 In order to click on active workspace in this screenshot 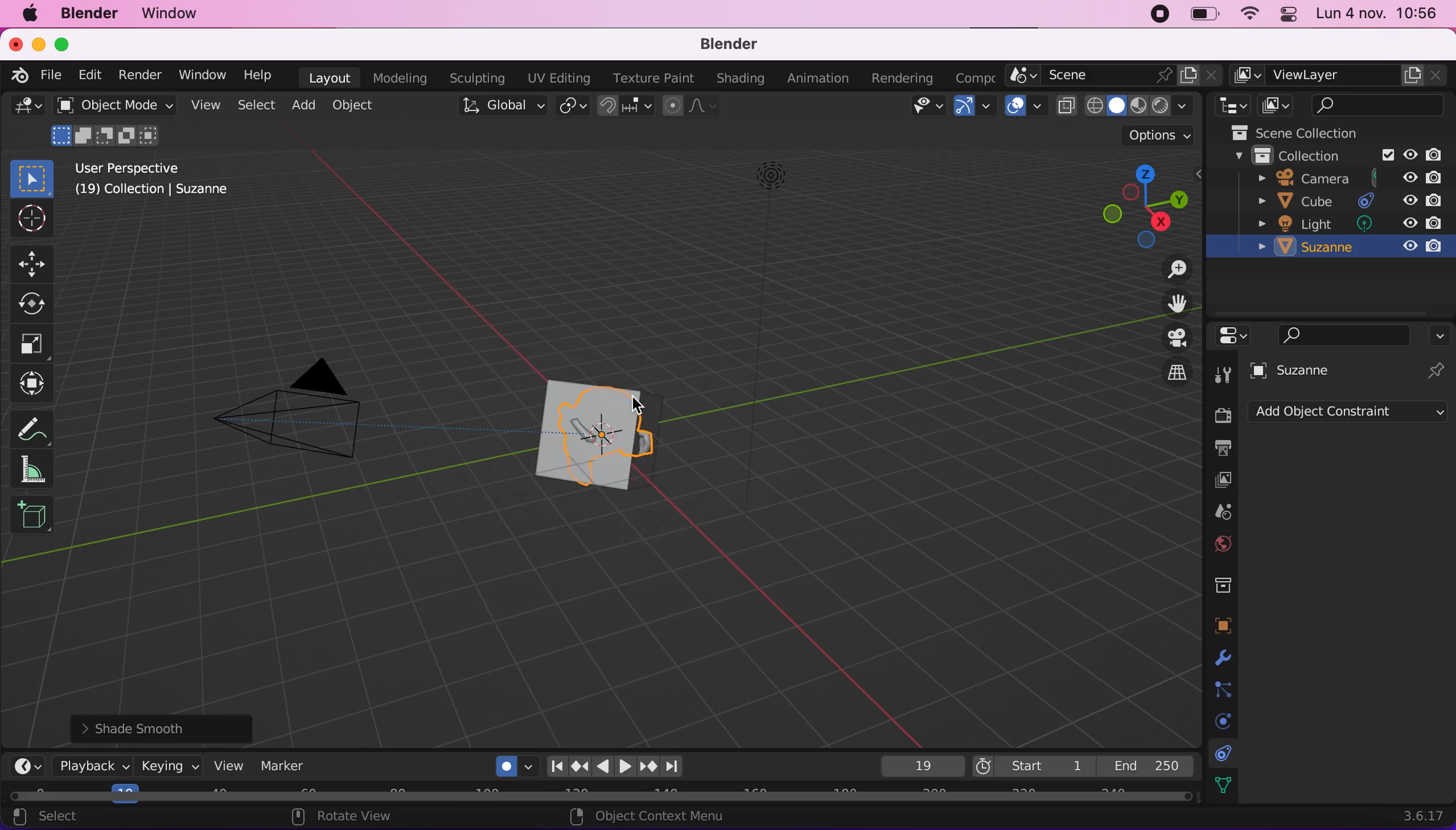, I will do `click(1245, 75)`.